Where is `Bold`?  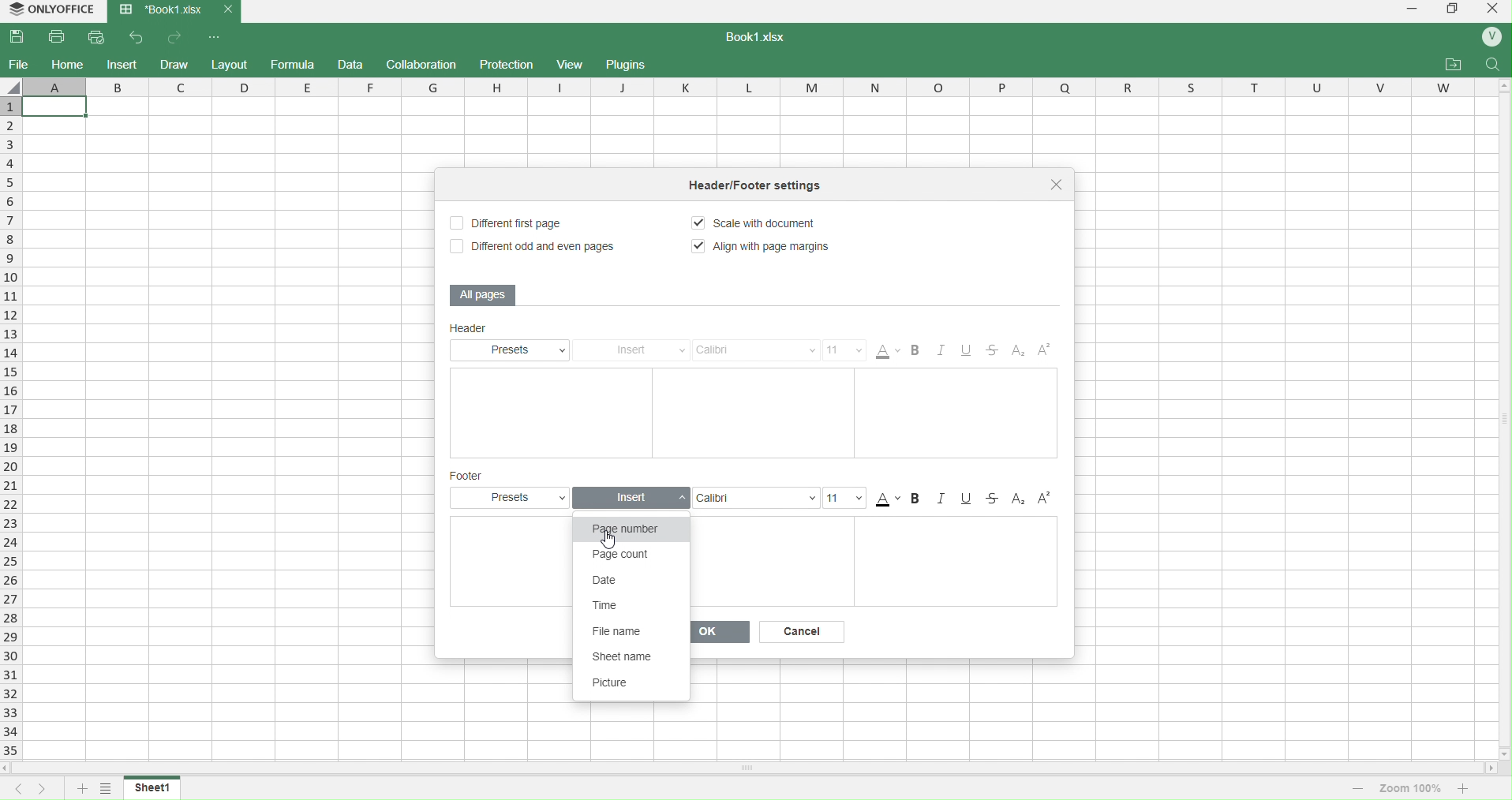
Bold is located at coordinates (919, 352).